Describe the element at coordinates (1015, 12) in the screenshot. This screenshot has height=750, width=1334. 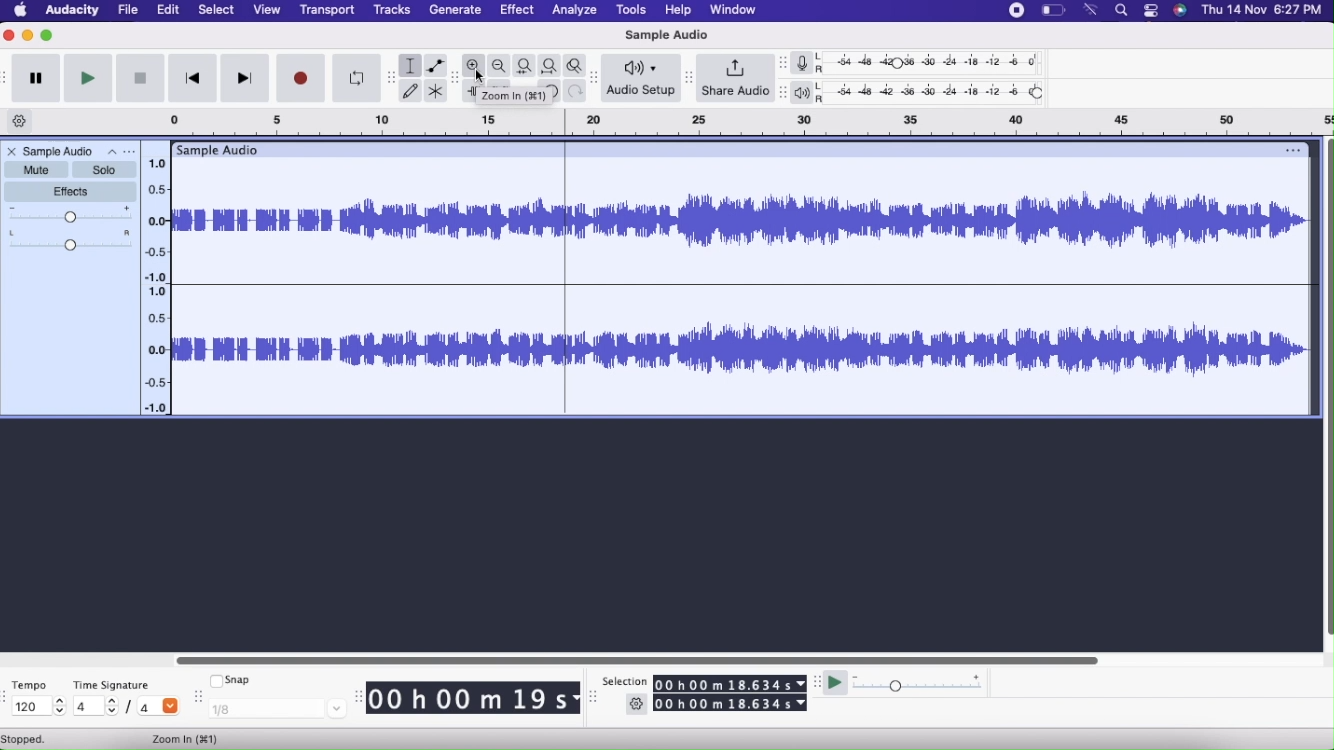
I see `Record` at that location.